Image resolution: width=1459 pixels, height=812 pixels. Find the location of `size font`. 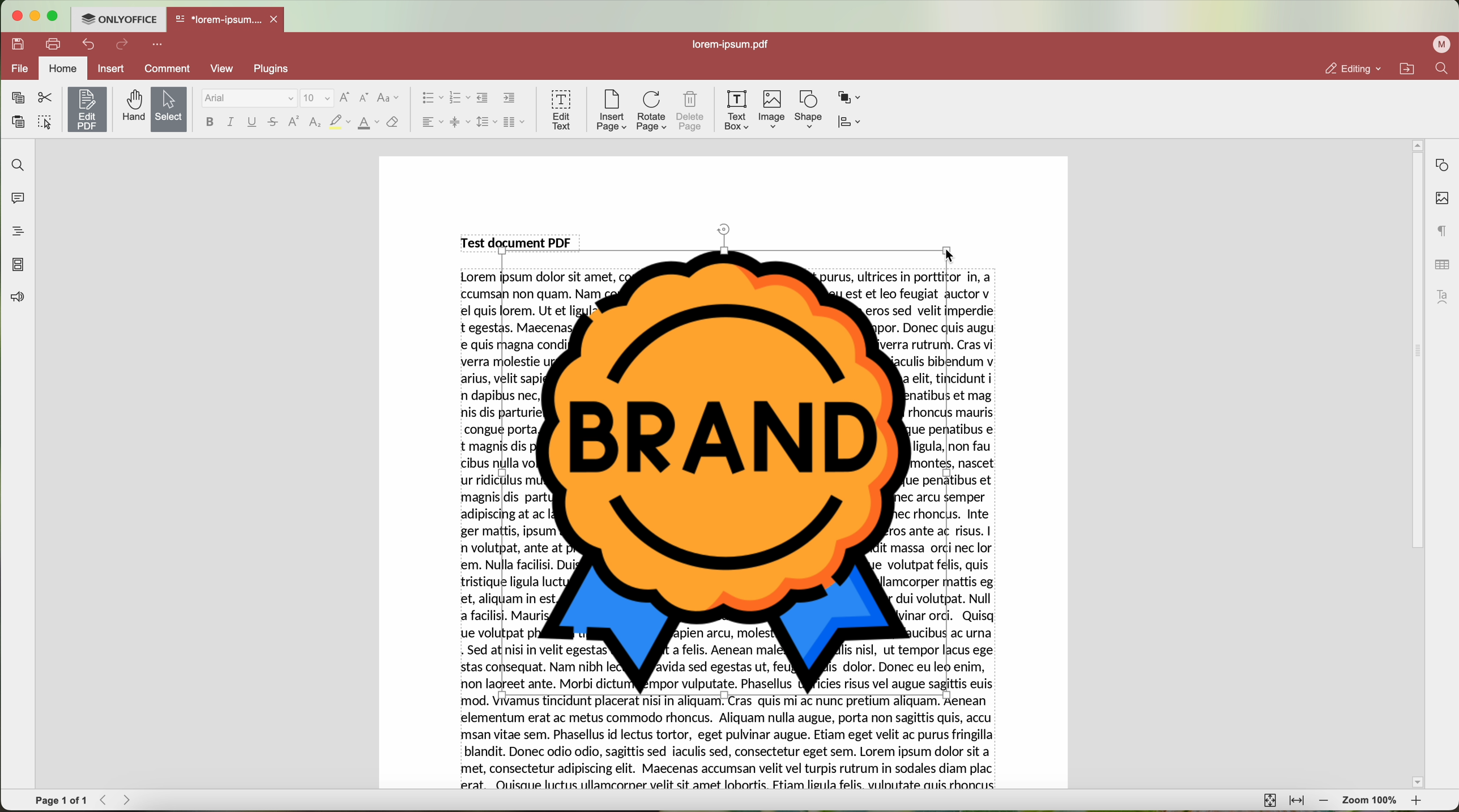

size font is located at coordinates (317, 99).